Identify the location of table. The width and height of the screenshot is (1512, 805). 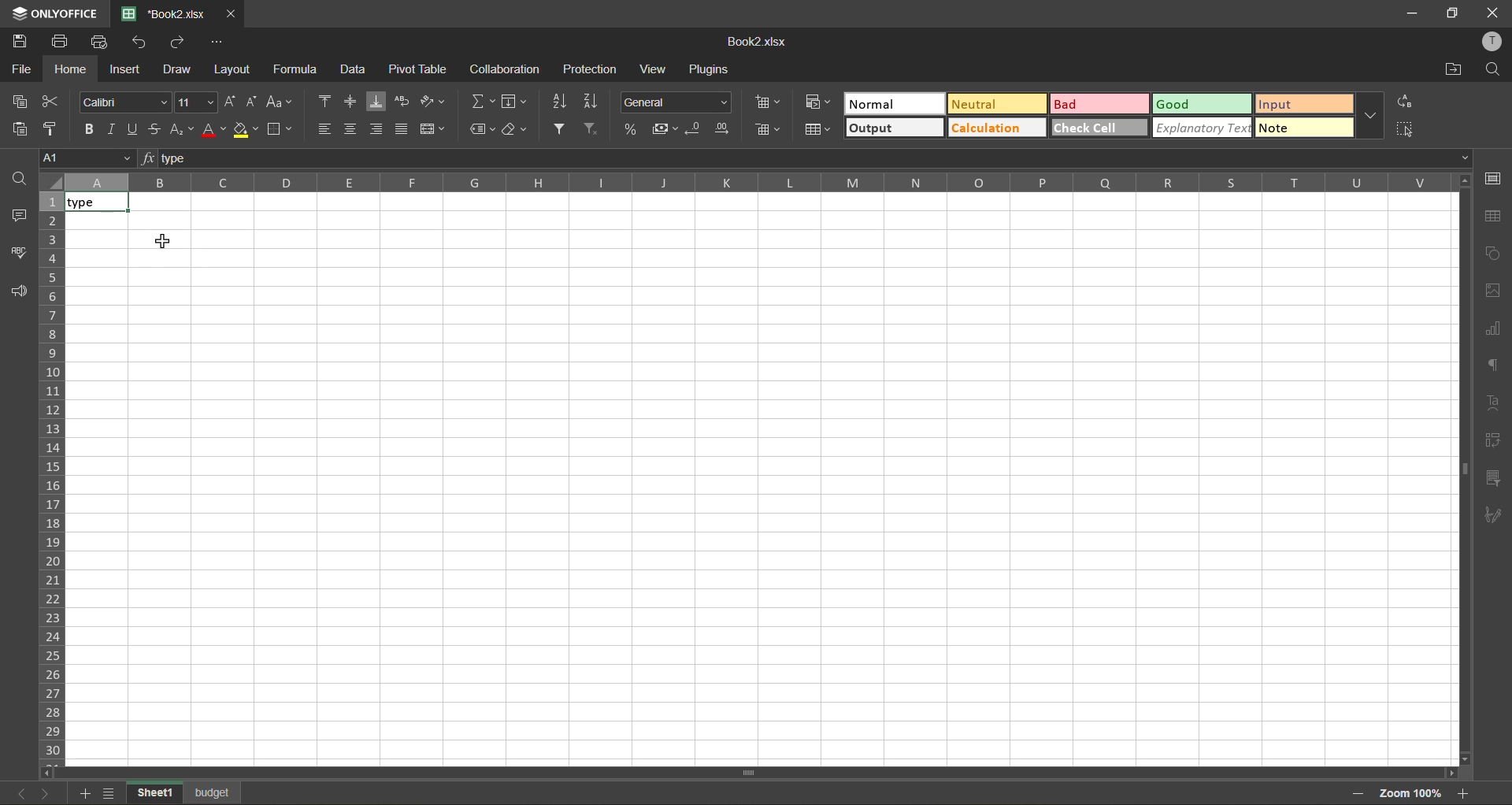
(1497, 216).